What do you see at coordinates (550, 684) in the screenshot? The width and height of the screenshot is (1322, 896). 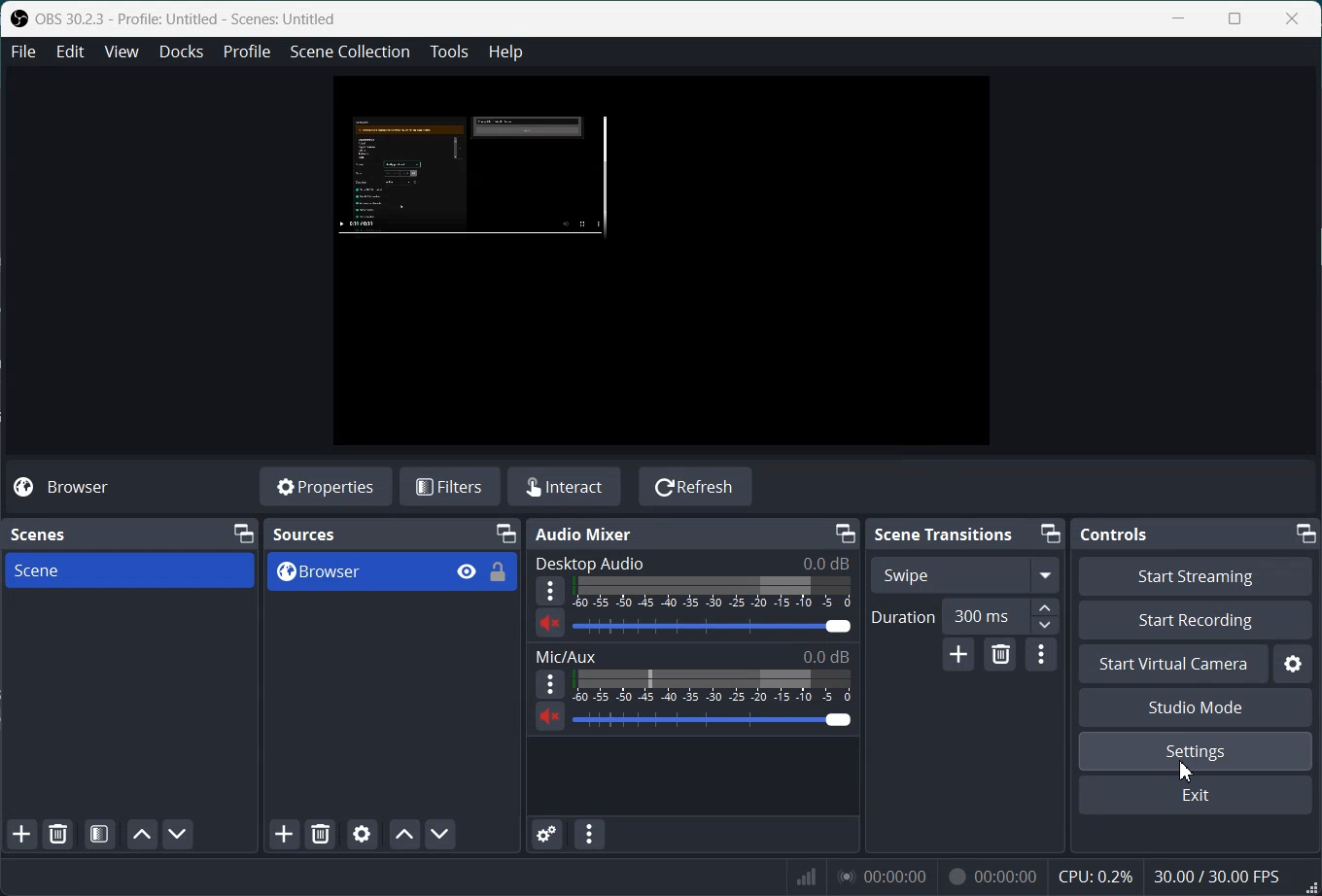 I see `More` at bounding box center [550, 684].